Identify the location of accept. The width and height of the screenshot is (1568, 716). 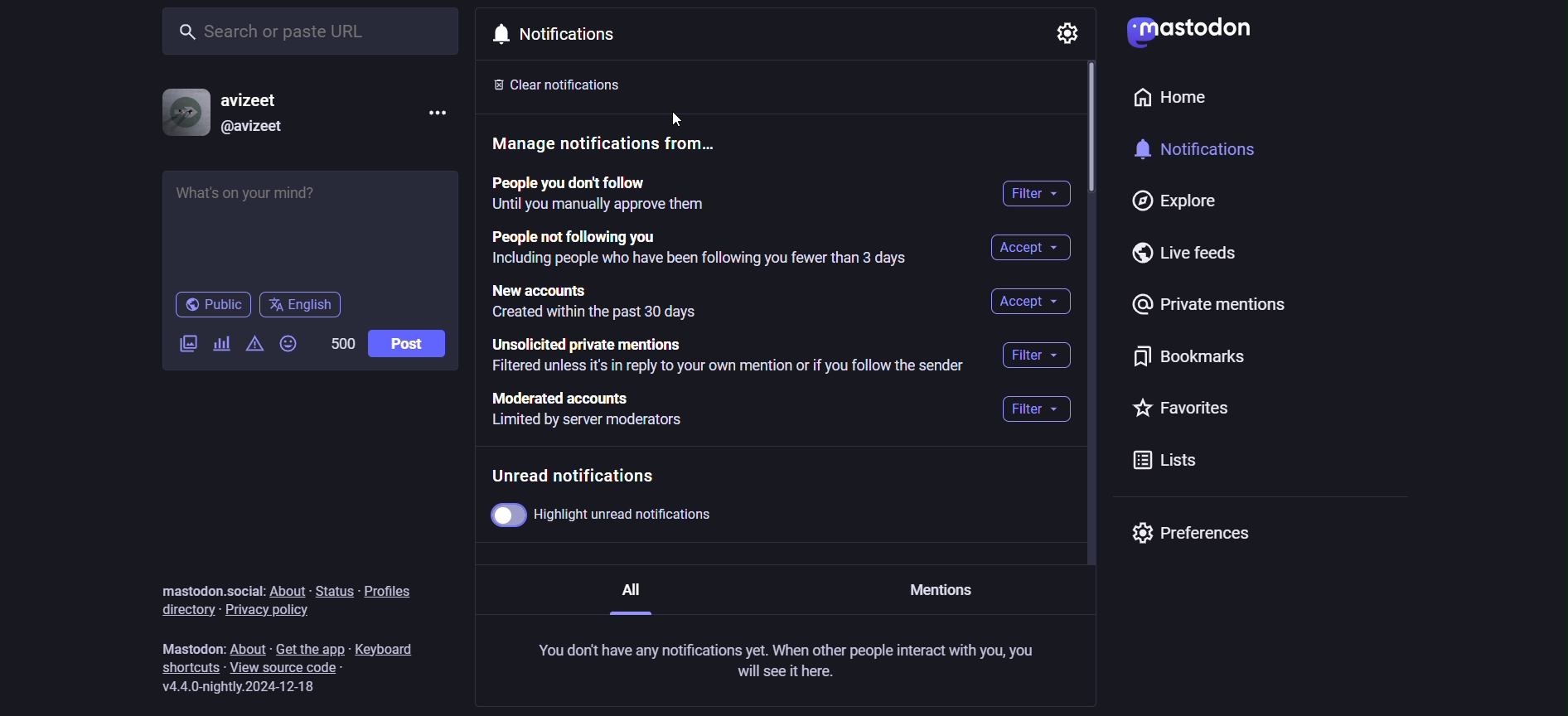
(1026, 248).